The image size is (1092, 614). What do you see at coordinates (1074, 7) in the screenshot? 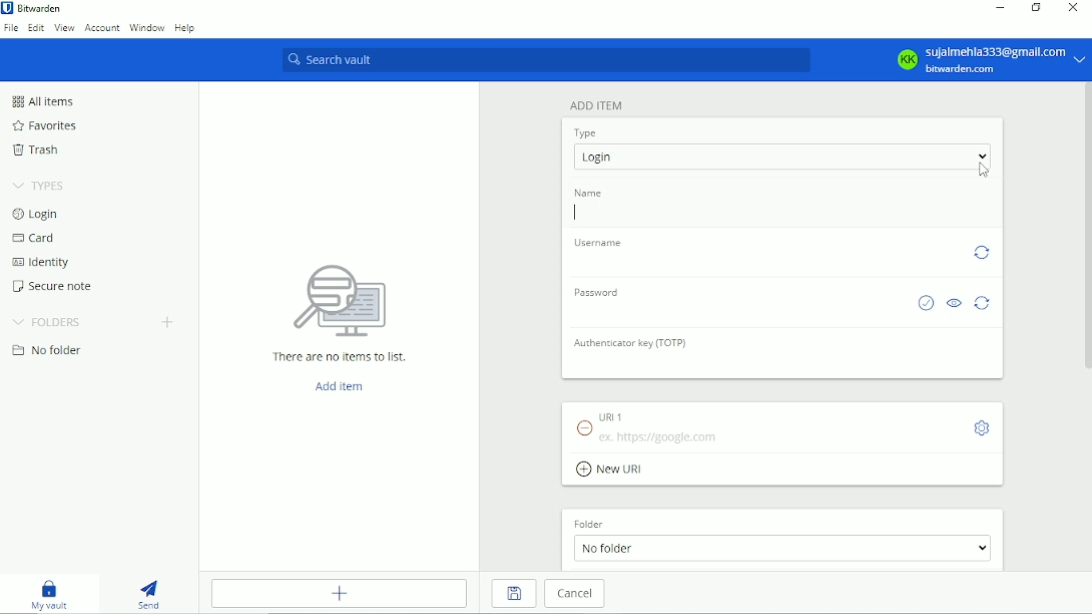
I see `Close` at bounding box center [1074, 7].